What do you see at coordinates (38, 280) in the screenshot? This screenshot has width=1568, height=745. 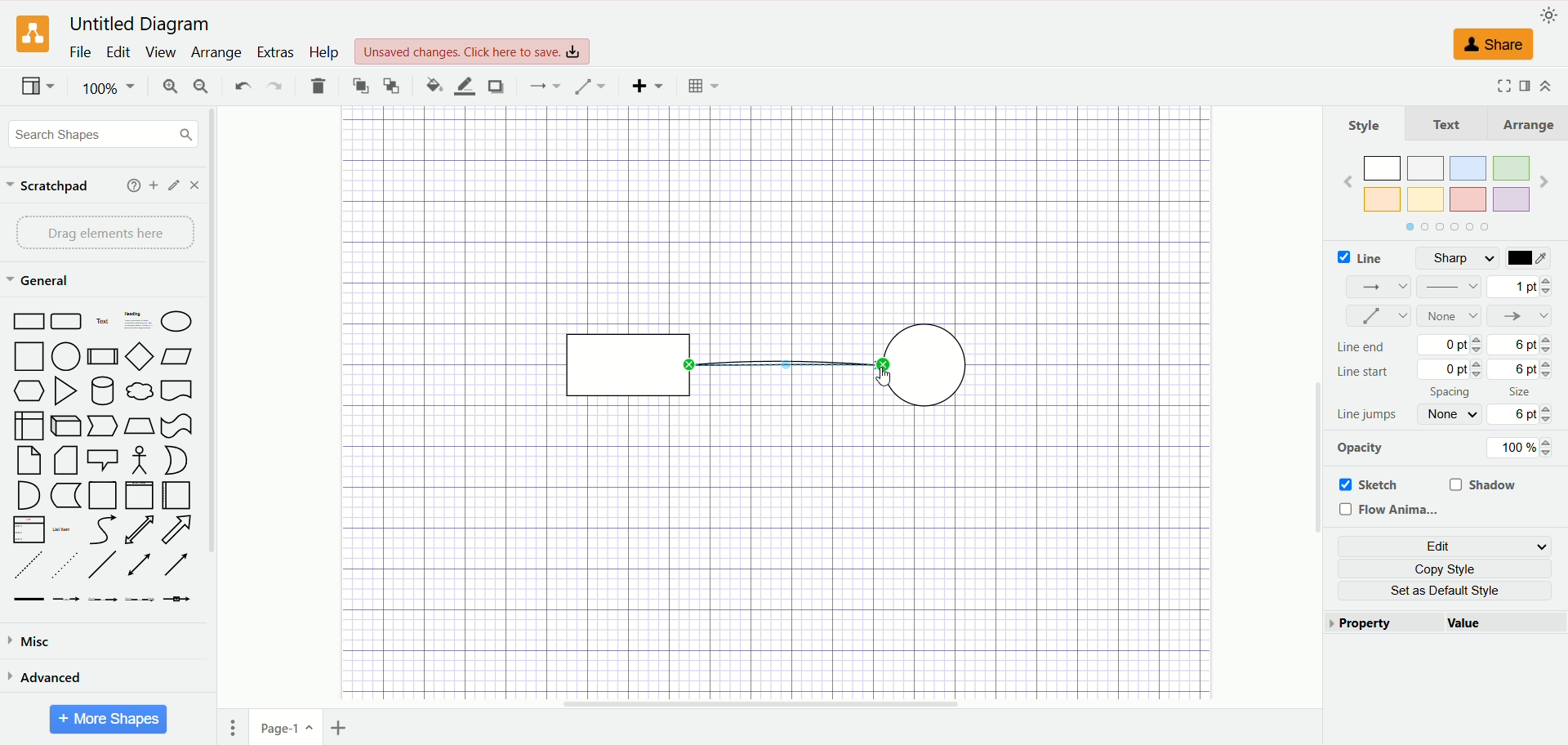 I see `general` at bounding box center [38, 280].